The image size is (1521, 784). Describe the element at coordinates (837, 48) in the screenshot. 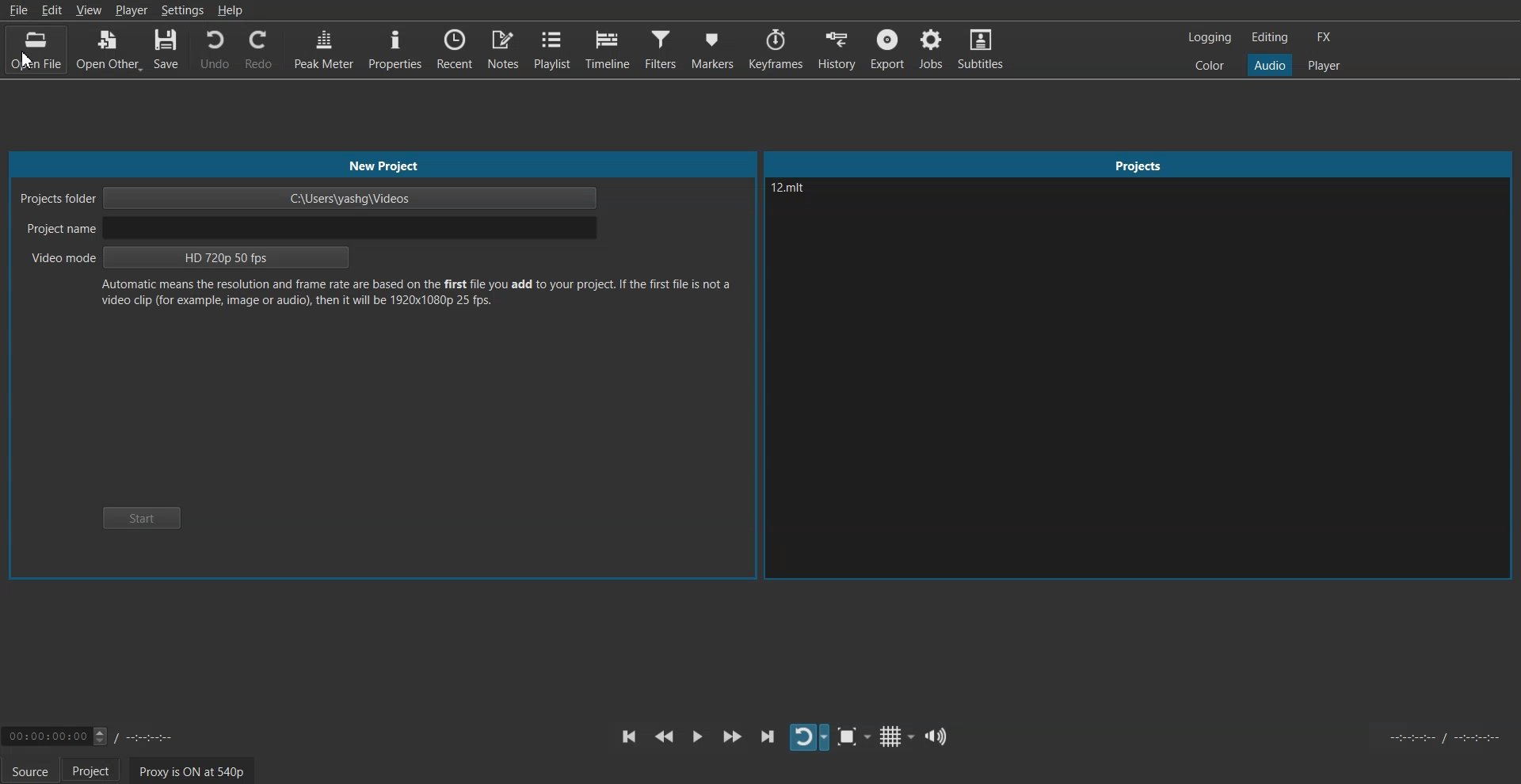

I see `History` at that location.